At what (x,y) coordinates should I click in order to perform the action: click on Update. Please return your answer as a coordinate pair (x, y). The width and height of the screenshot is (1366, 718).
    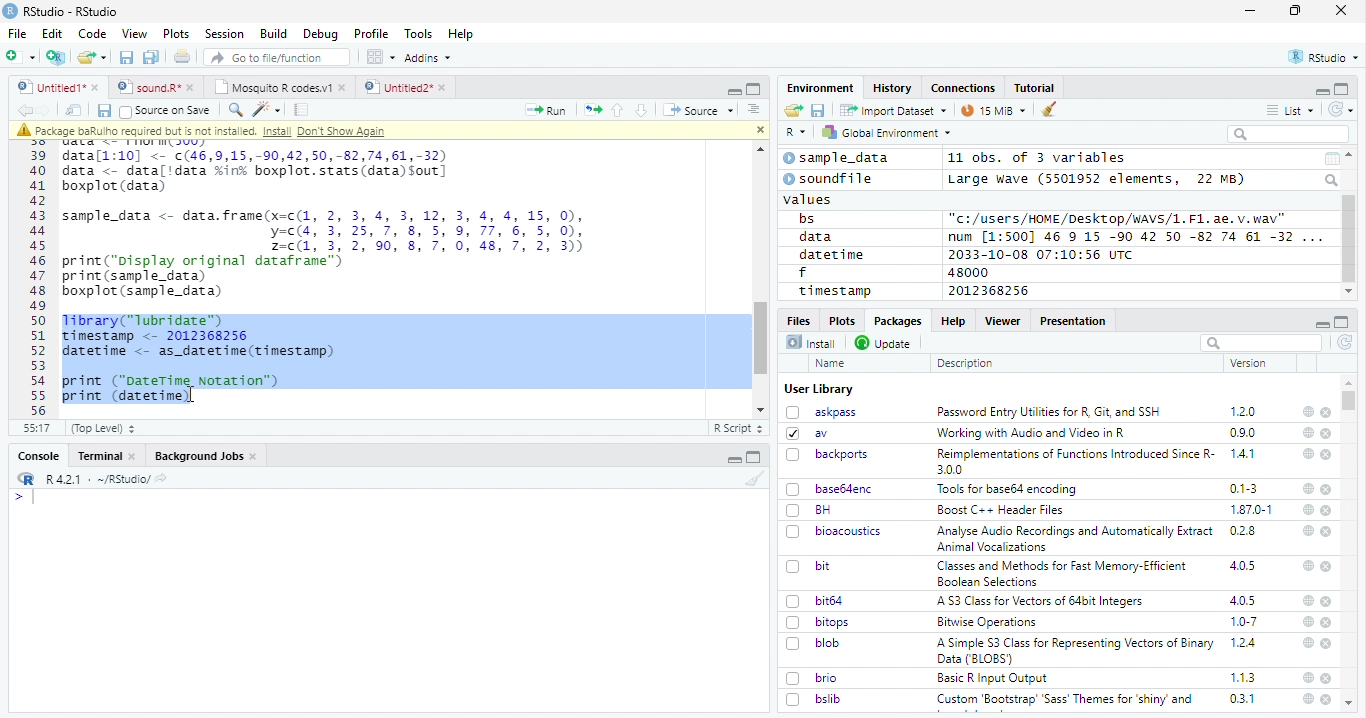
    Looking at the image, I should click on (885, 343).